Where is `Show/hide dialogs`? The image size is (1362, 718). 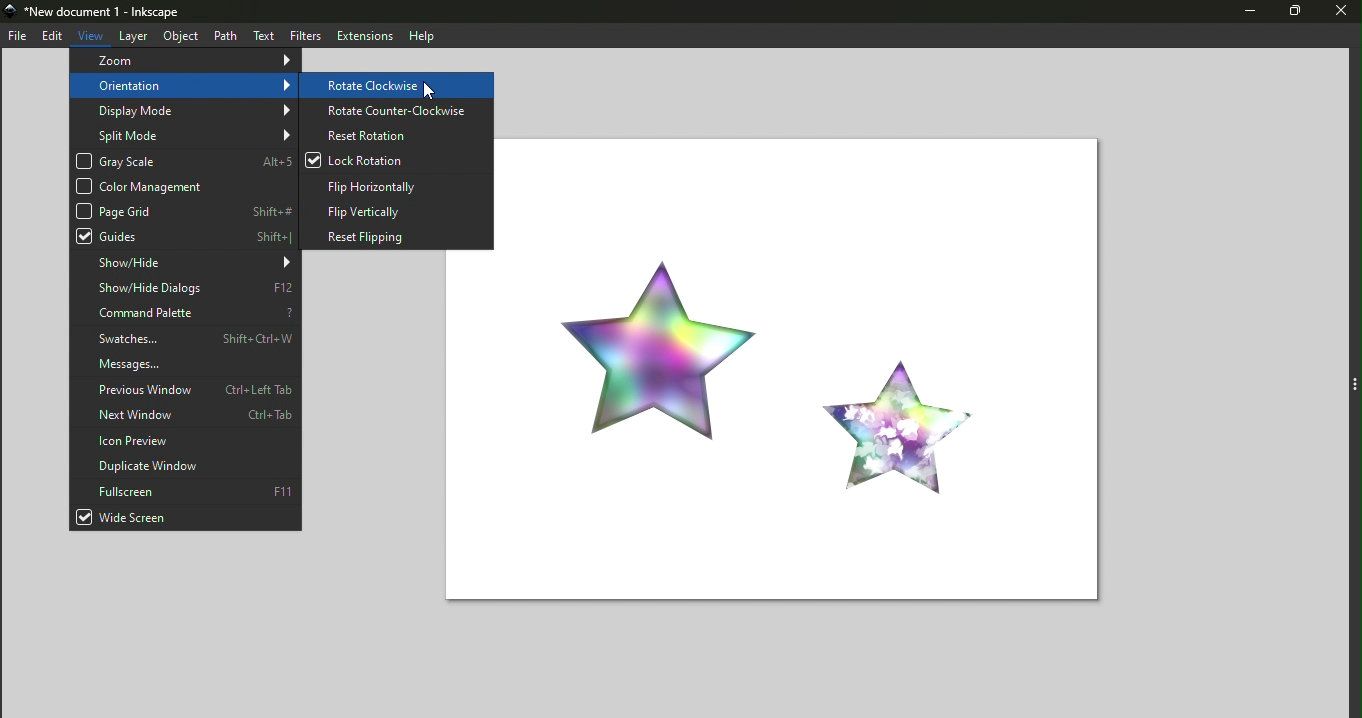
Show/hide dialogs is located at coordinates (185, 289).